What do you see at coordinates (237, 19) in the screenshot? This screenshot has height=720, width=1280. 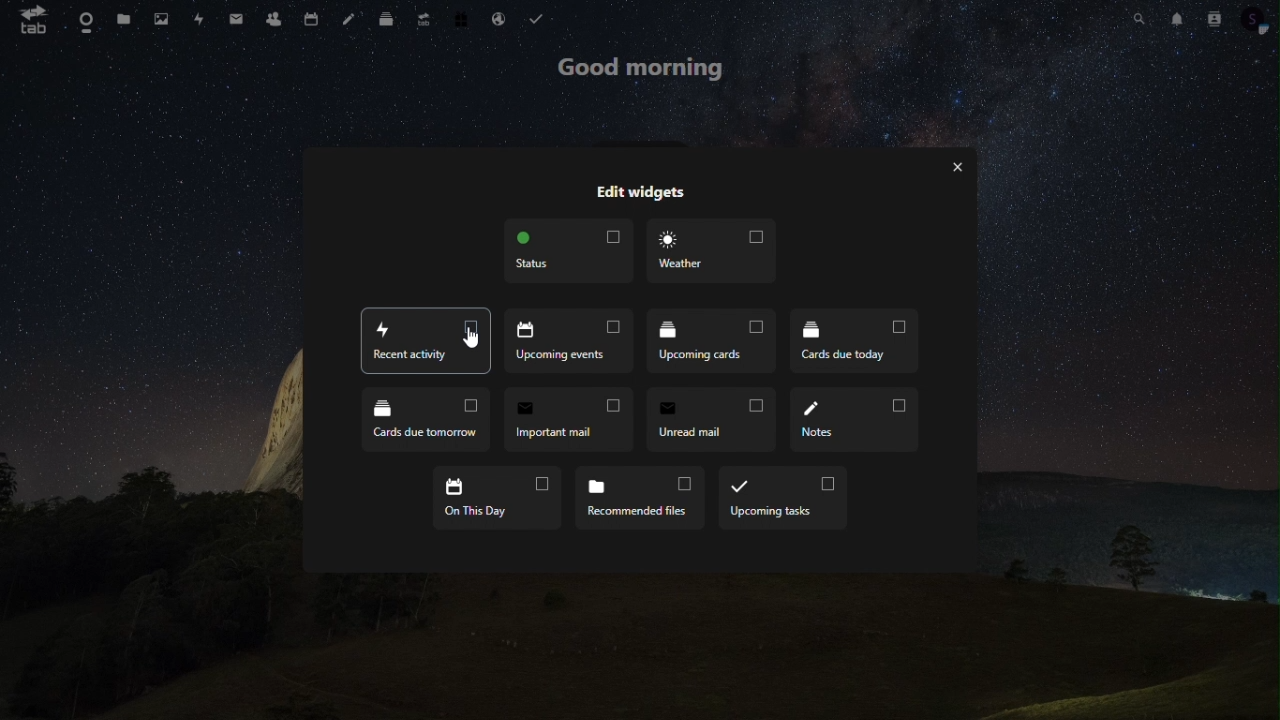 I see `mail` at bounding box center [237, 19].